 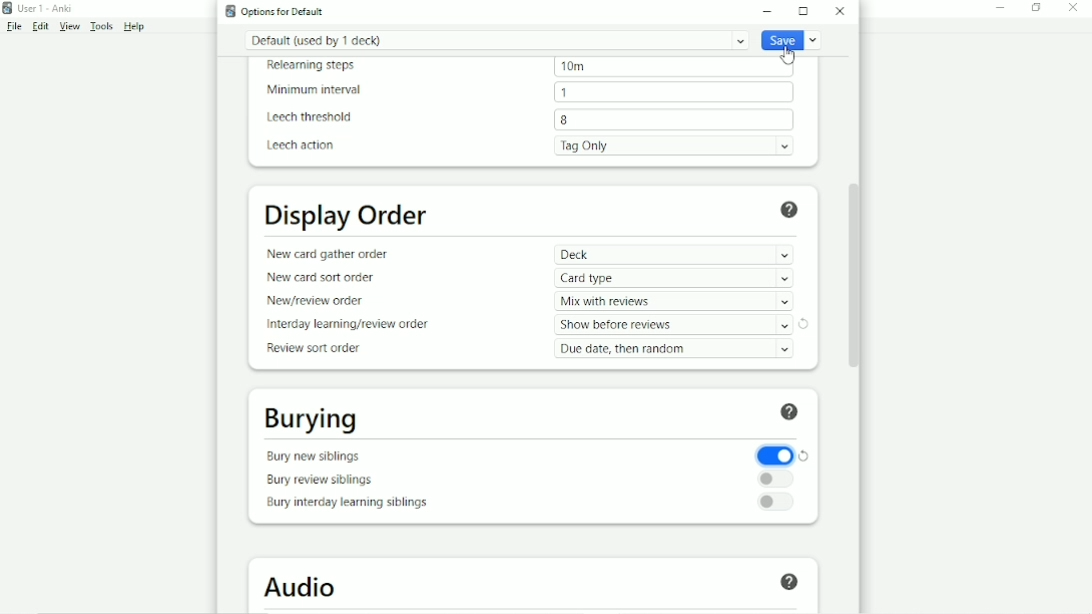 What do you see at coordinates (1037, 8) in the screenshot?
I see `Restore down` at bounding box center [1037, 8].